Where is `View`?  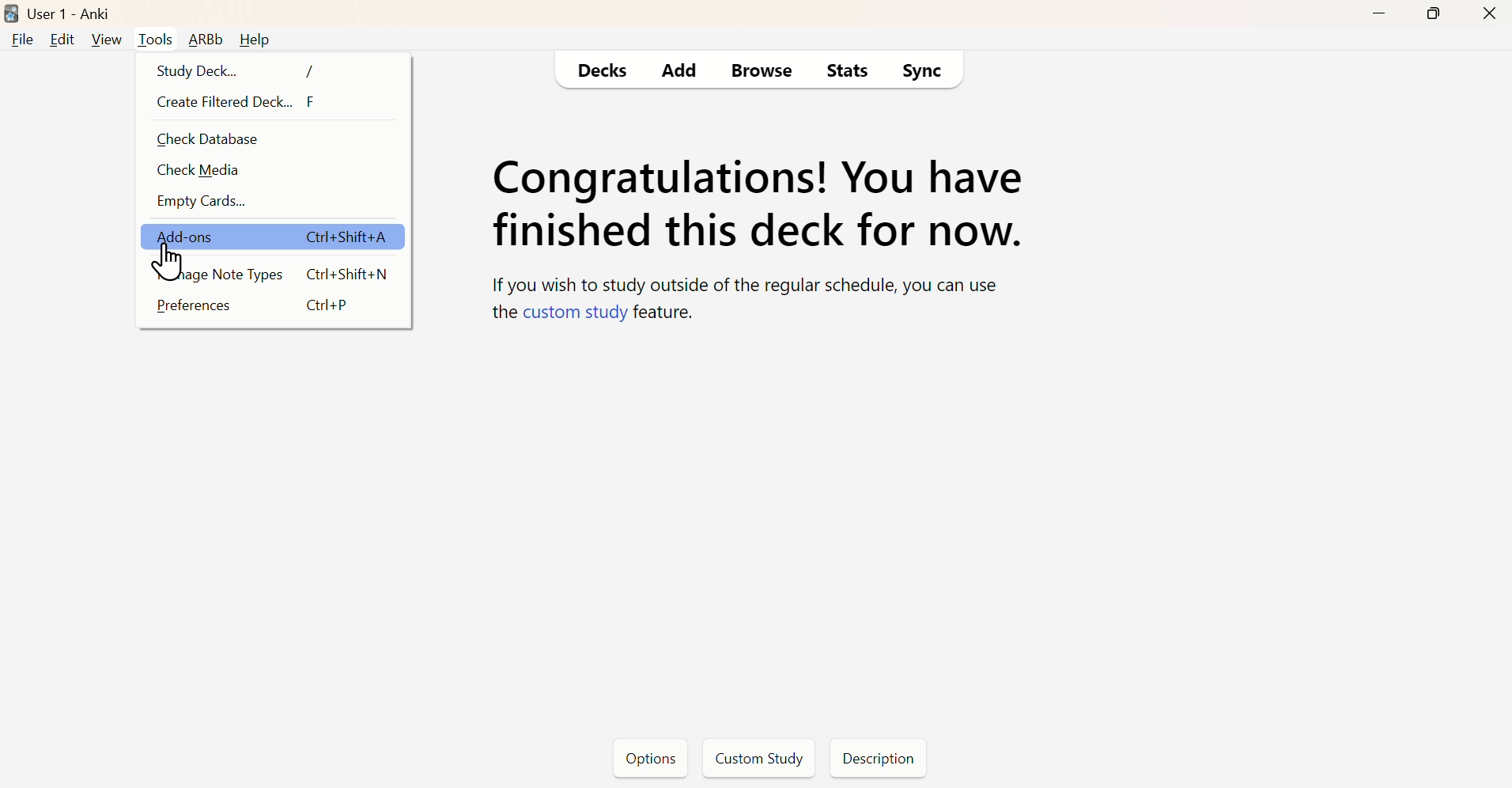 View is located at coordinates (104, 40).